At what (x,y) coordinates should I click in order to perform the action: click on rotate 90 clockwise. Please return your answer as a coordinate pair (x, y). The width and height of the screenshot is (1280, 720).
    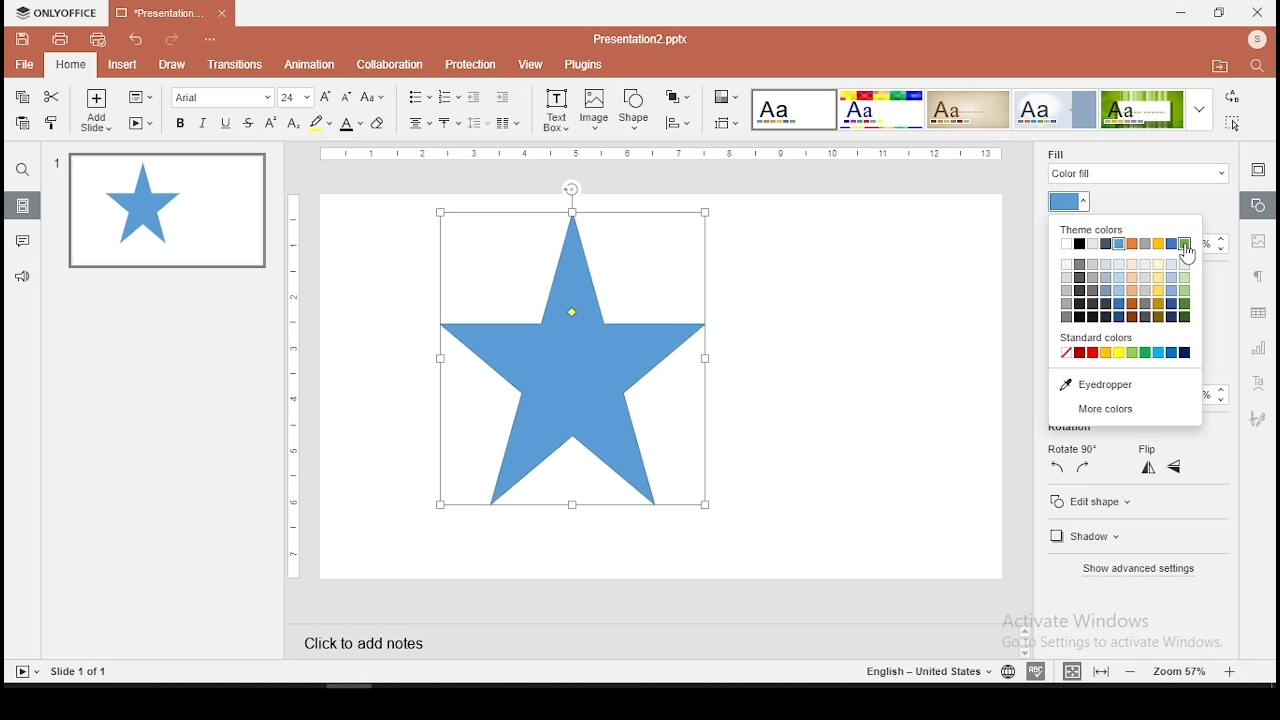
    Looking at the image, I should click on (1083, 467).